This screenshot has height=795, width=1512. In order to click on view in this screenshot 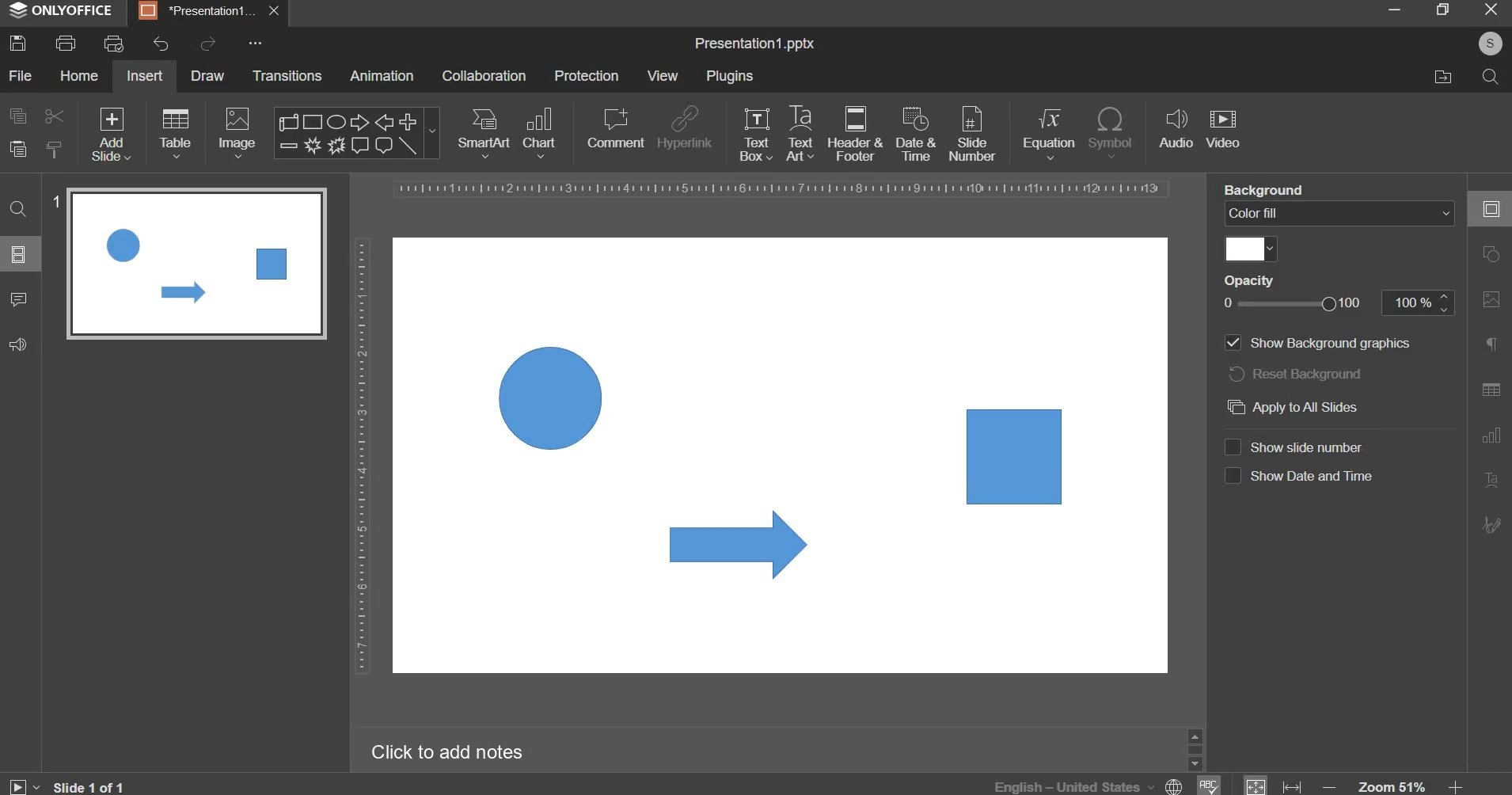, I will do `click(662, 75)`.